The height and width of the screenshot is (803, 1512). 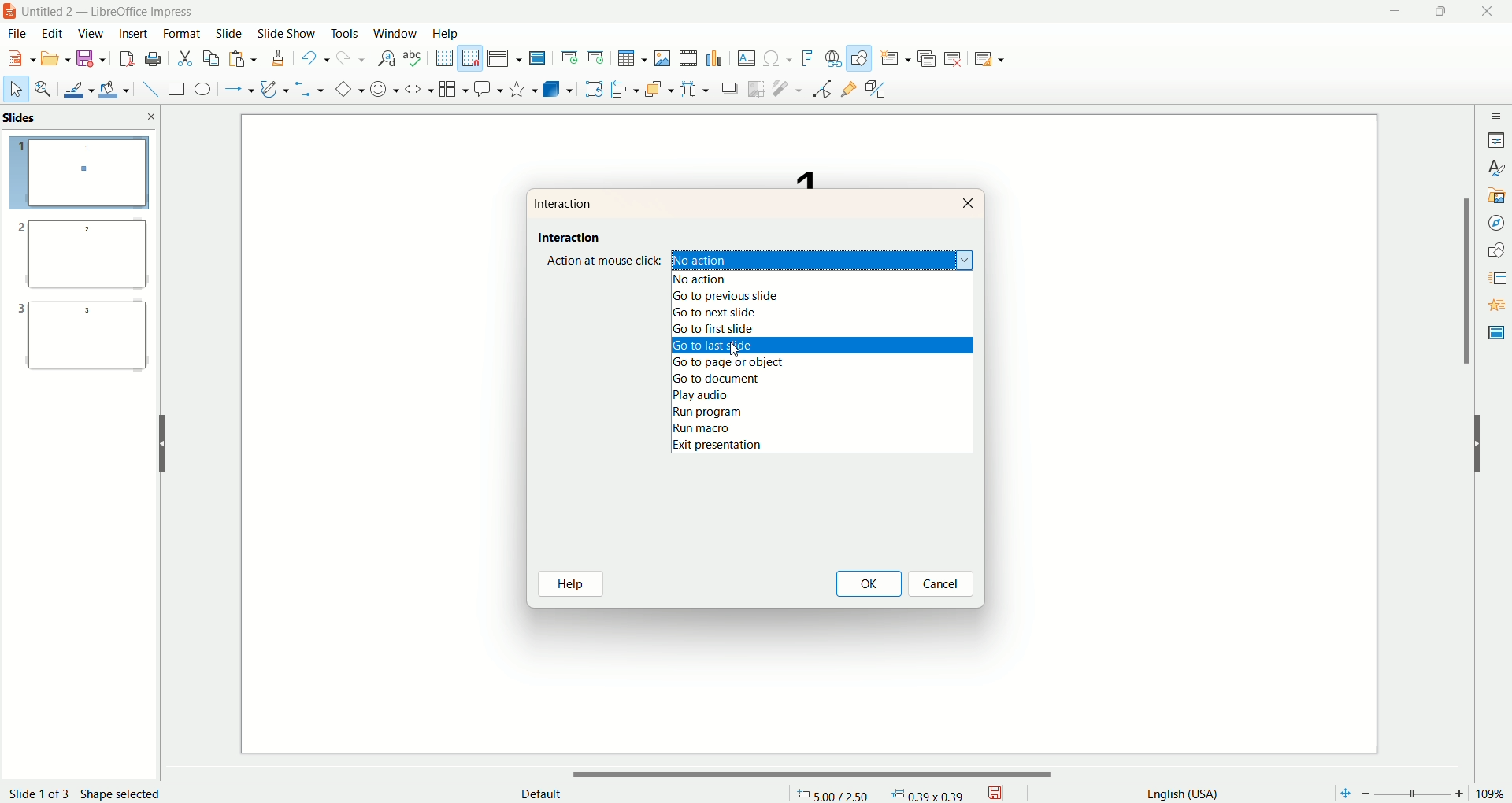 I want to click on crop image, so click(x=757, y=88).